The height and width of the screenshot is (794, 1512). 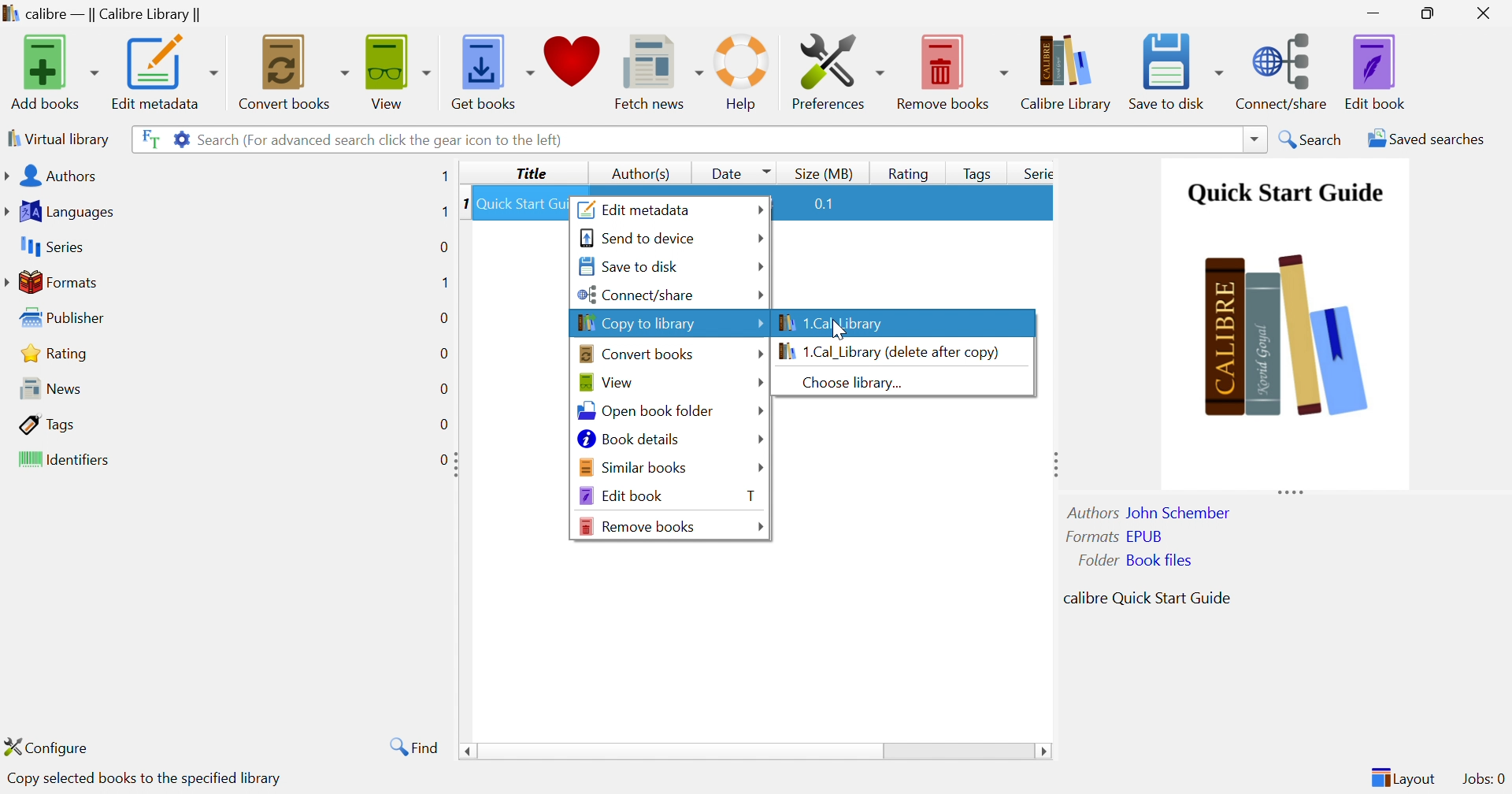 What do you see at coordinates (46, 422) in the screenshot?
I see `Tags` at bounding box center [46, 422].